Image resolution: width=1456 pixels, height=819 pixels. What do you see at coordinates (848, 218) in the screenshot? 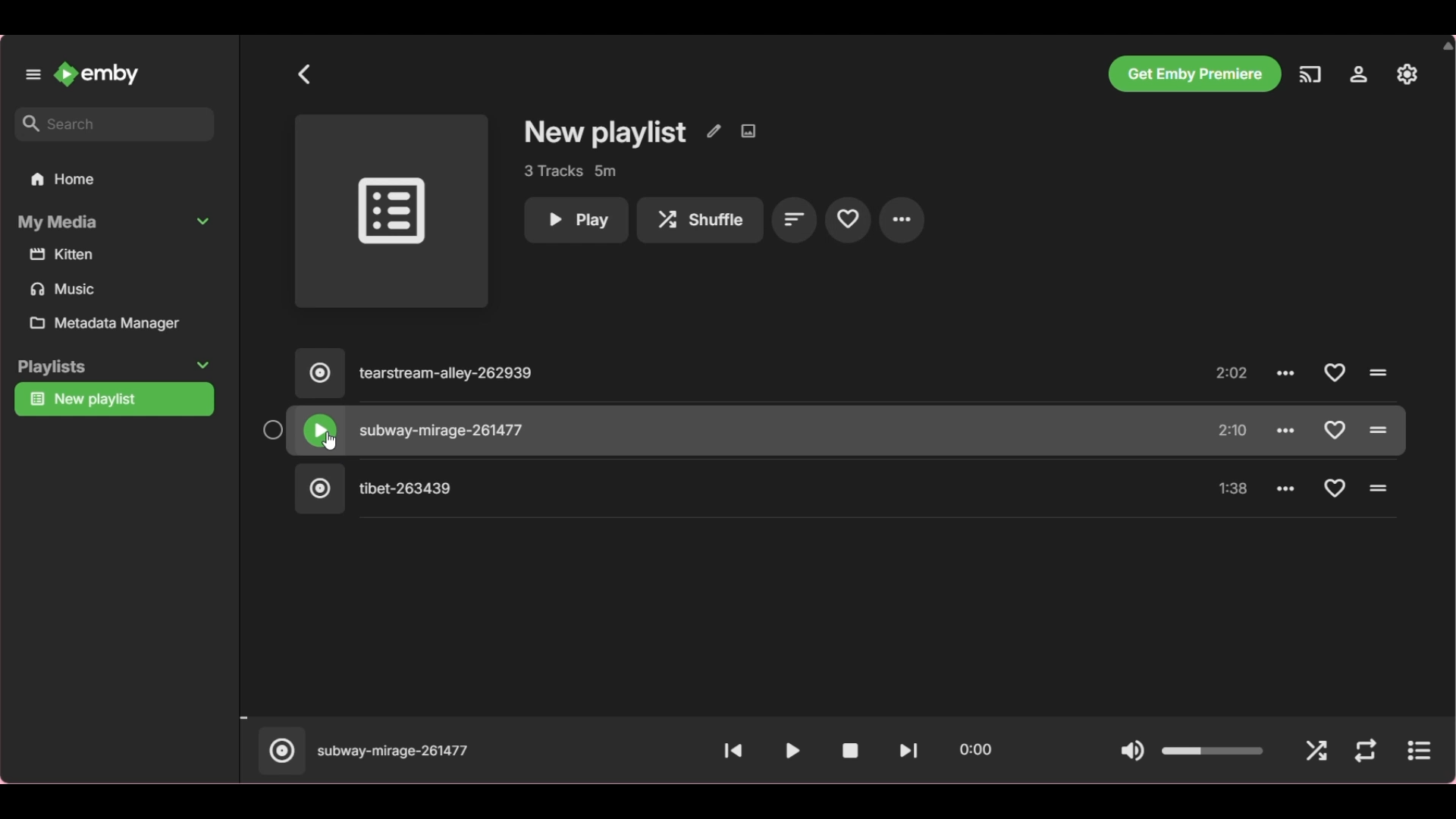
I see `Add to favourite ` at bounding box center [848, 218].